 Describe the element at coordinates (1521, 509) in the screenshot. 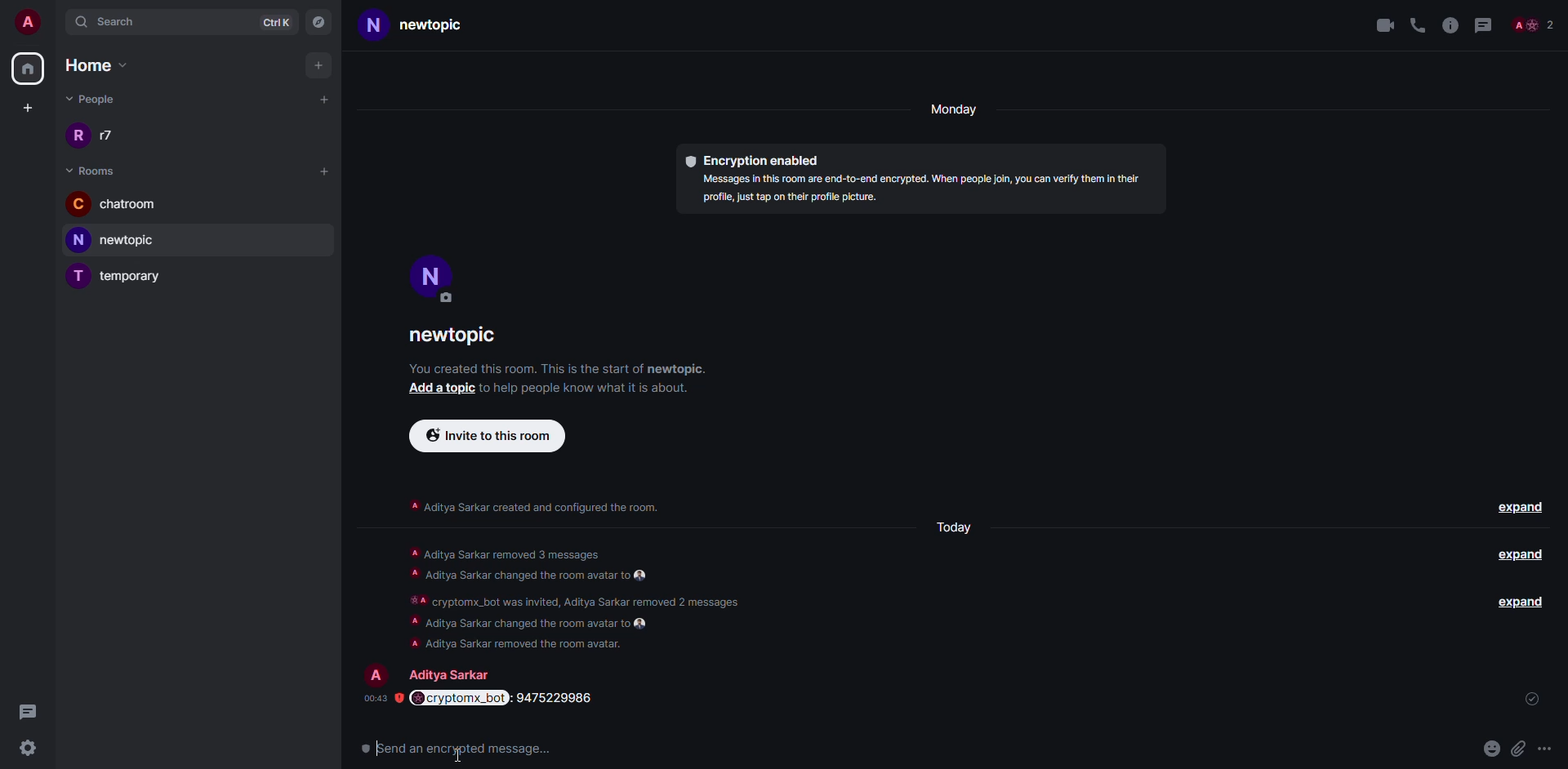

I see `expand` at that location.